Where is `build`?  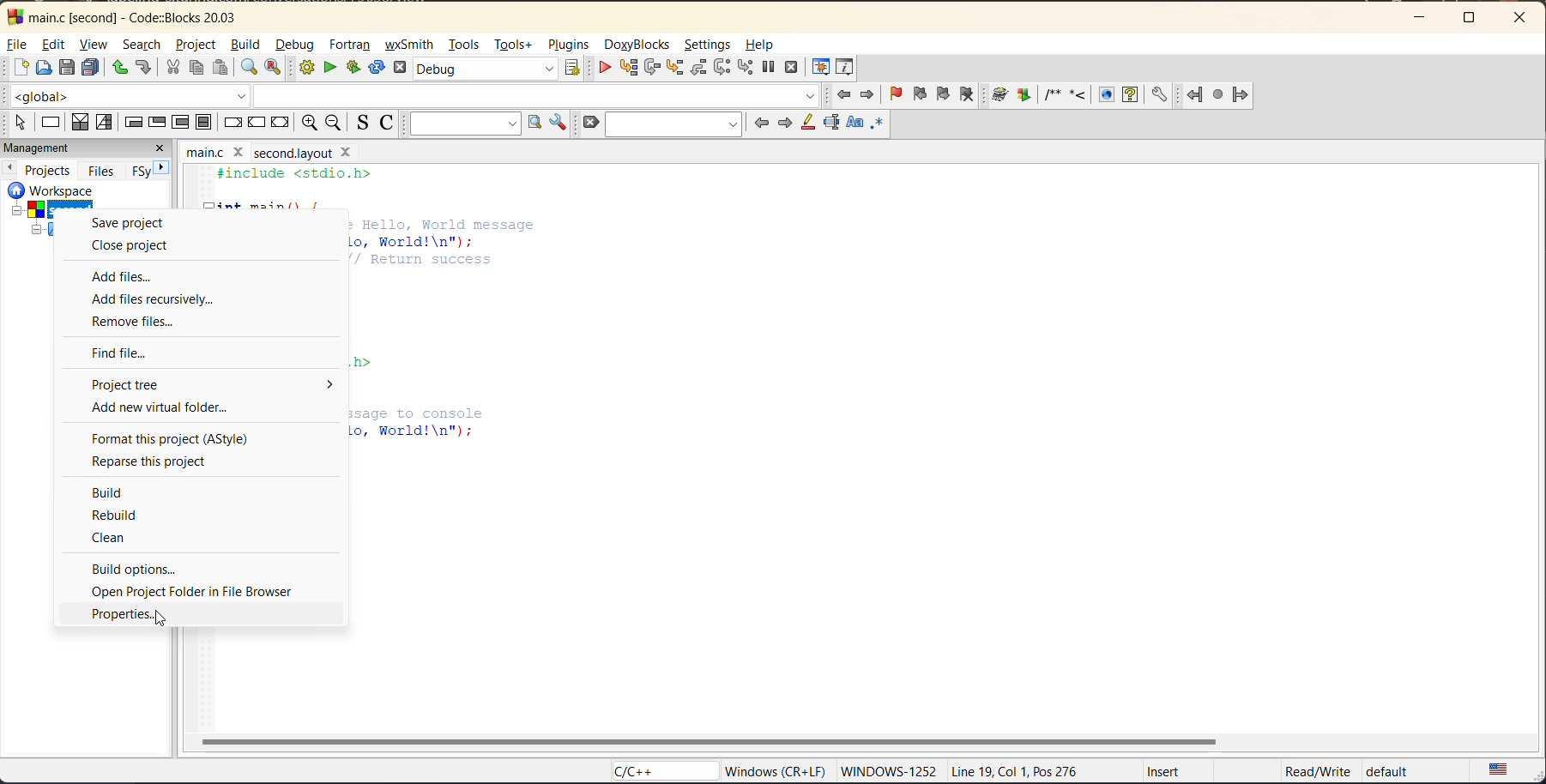
build is located at coordinates (117, 492).